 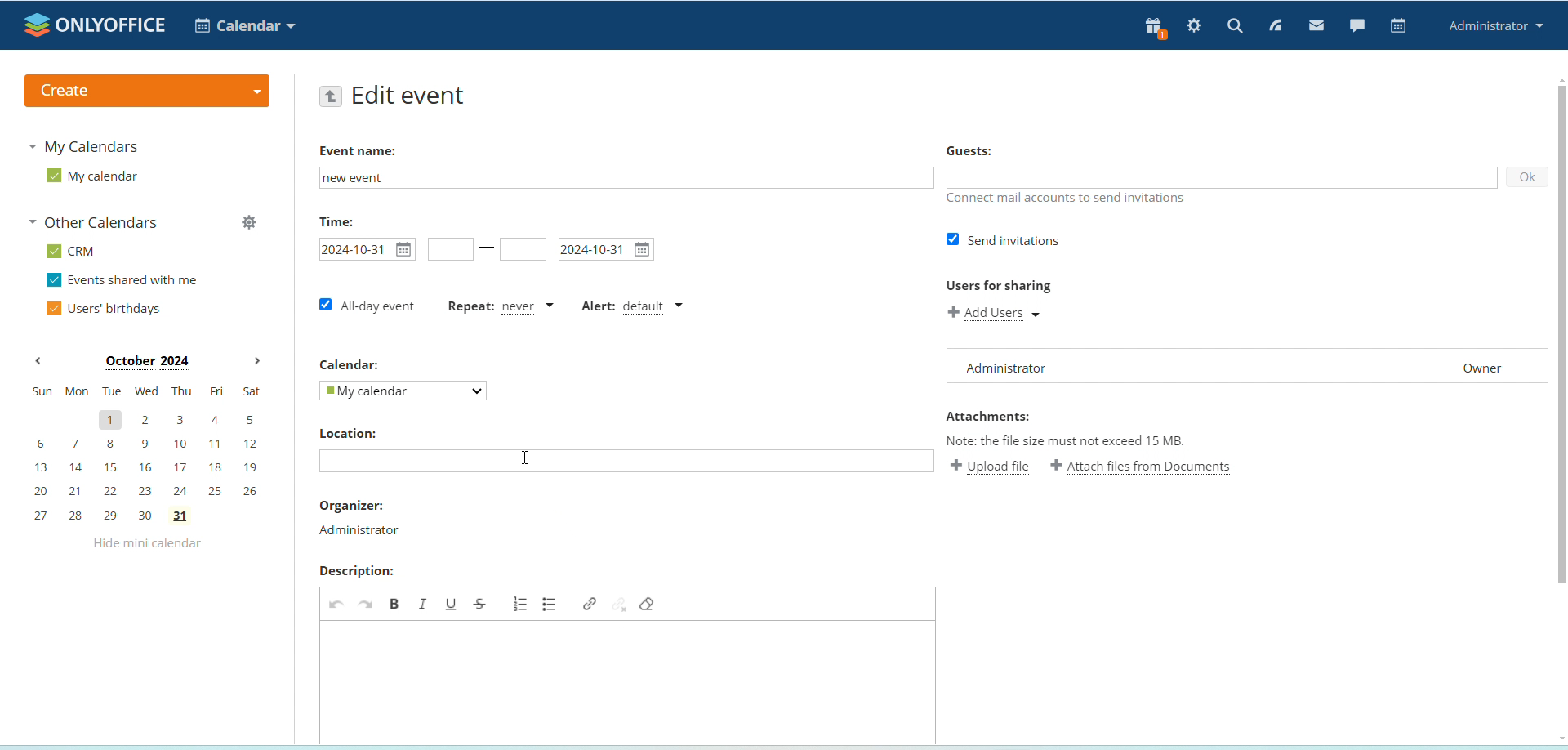 I want to click on organizer, so click(x=360, y=532).